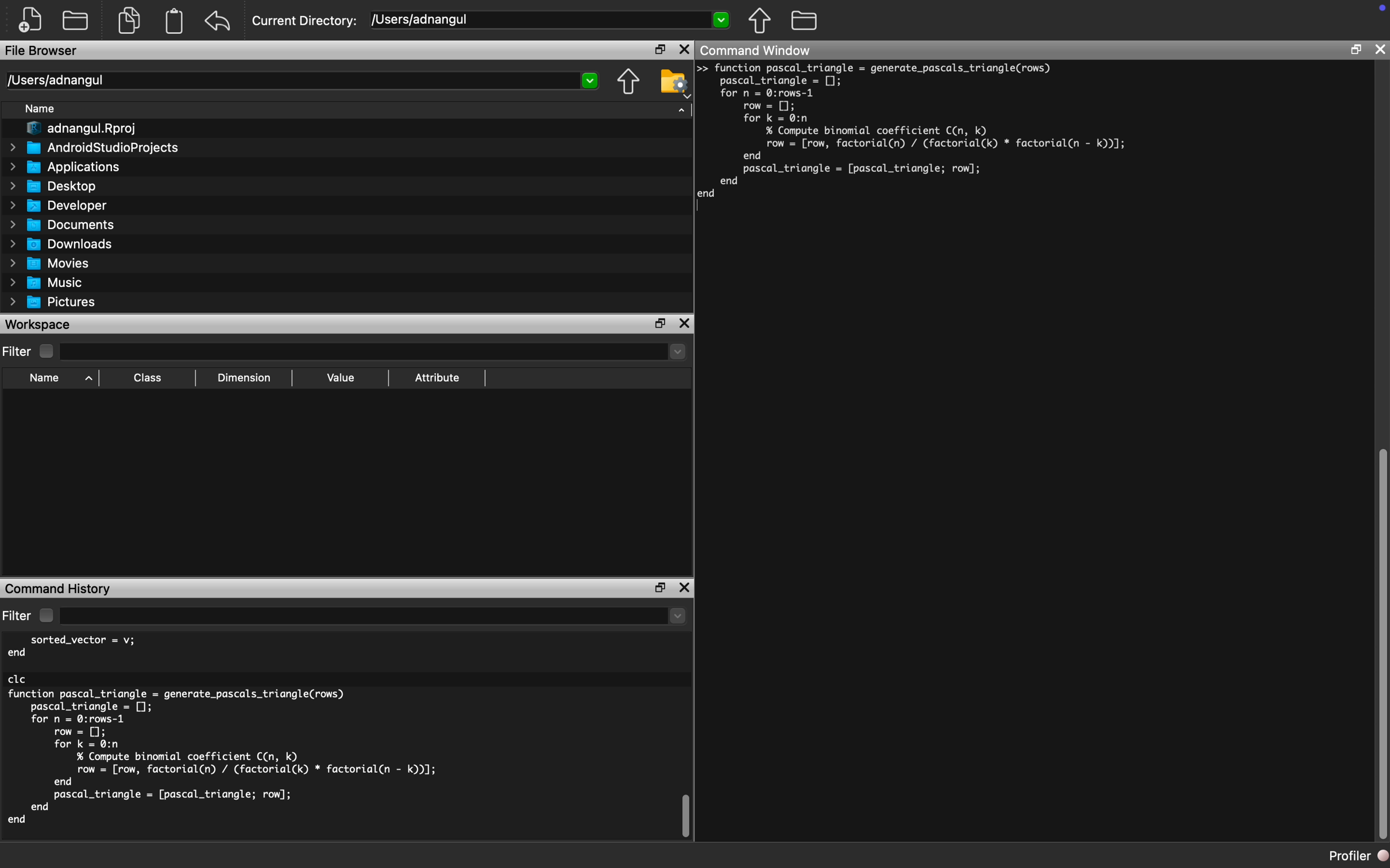 This screenshot has height=868, width=1390. What do you see at coordinates (44, 282) in the screenshot?
I see `Music` at bounding box center [44, 282].